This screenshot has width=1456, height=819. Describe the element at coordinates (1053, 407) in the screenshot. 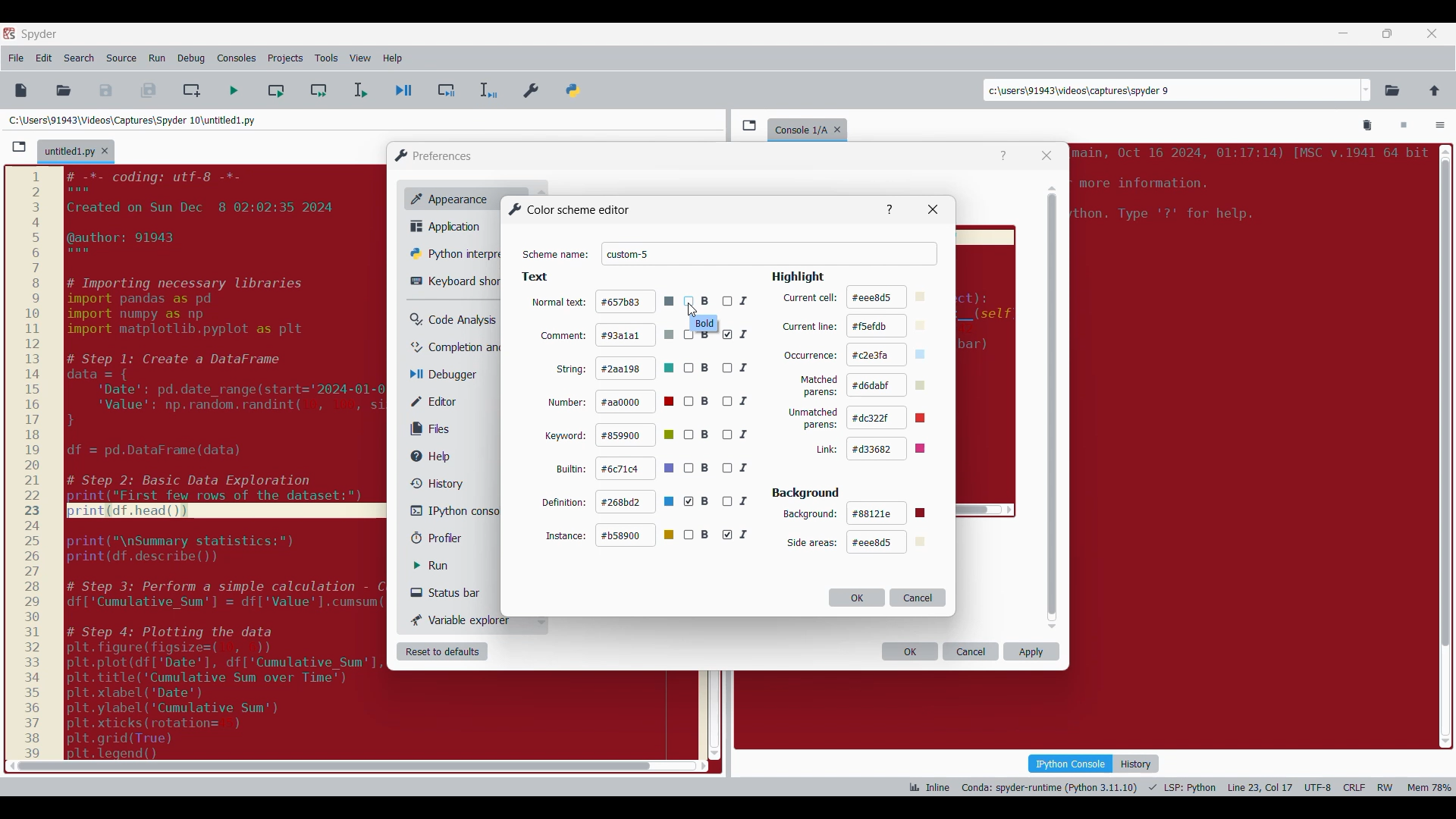

I see `Vertical slide bar` at that location.